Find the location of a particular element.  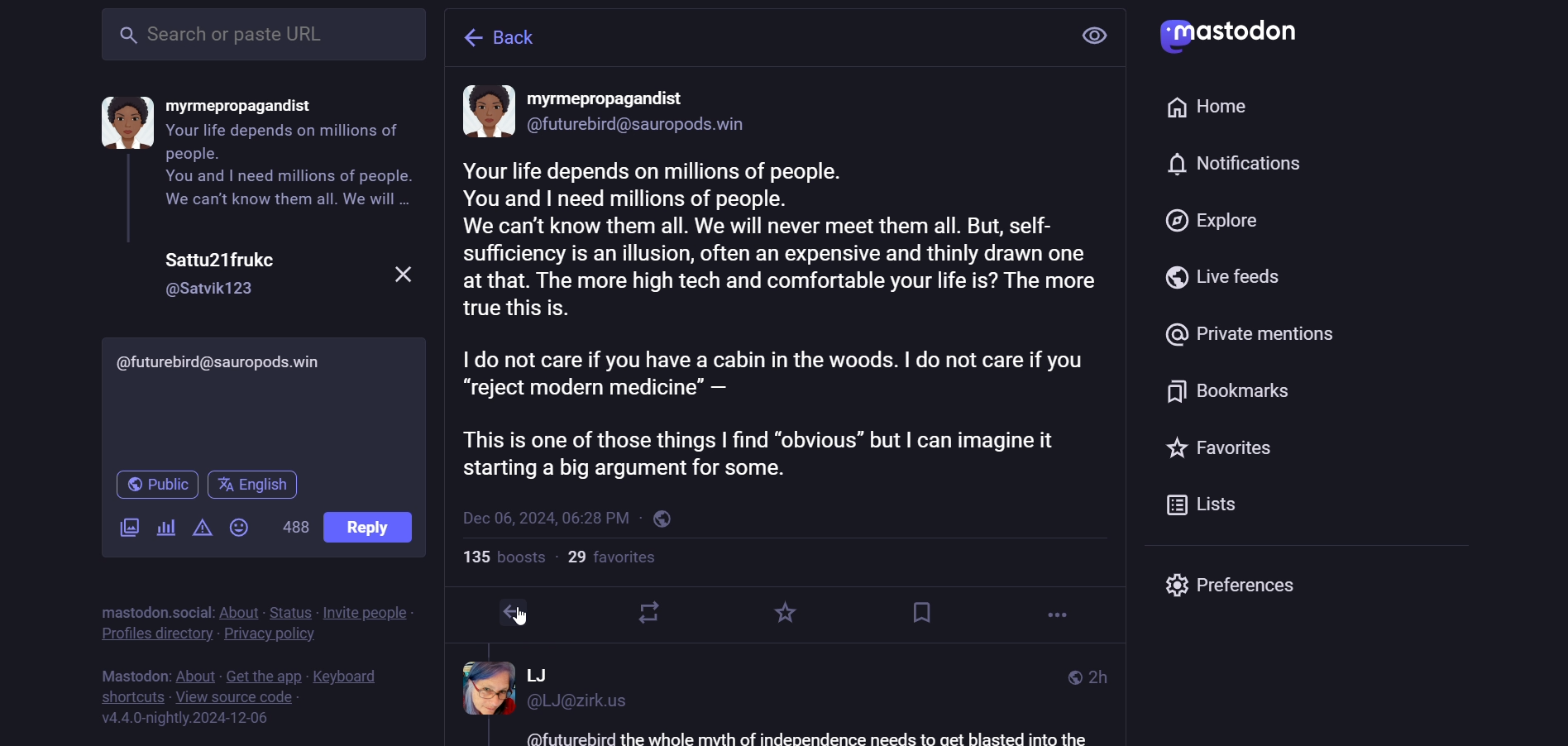

name is located at coordinates (241, 106).